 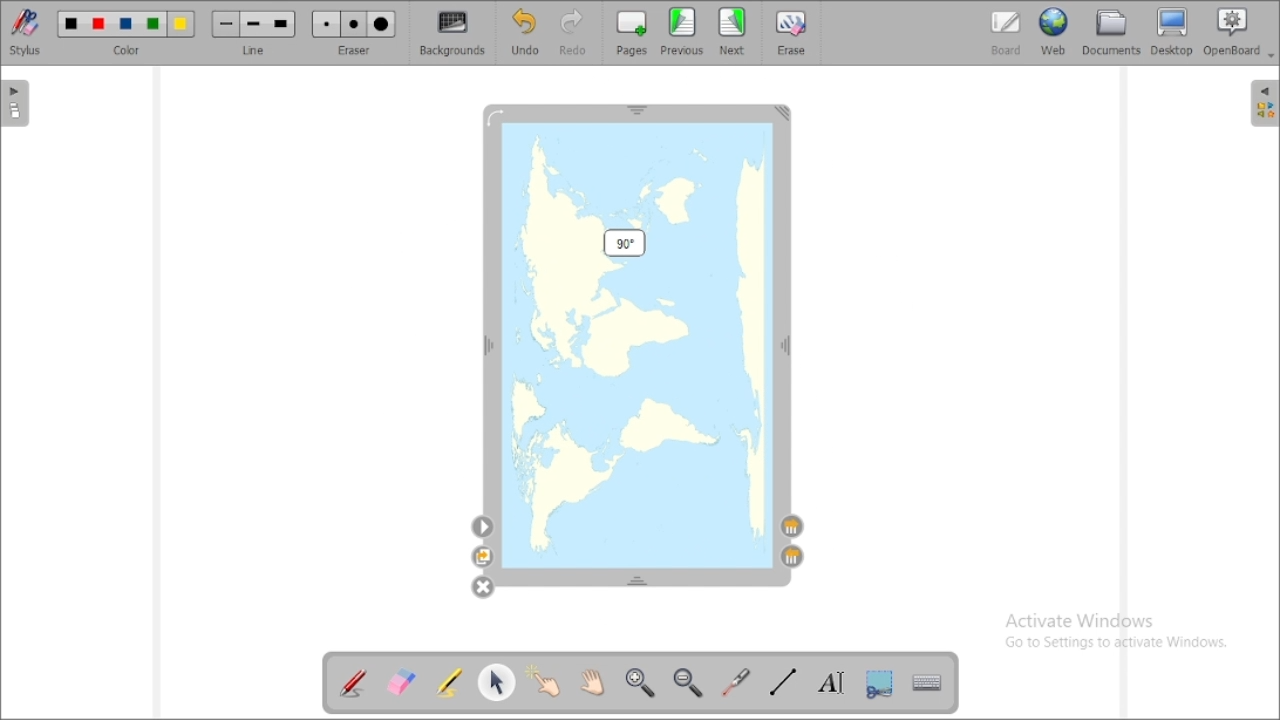 What do you see at coordinates (792, 556) in the screenshot?
I see `layer up` at bounding box center [792, 556].